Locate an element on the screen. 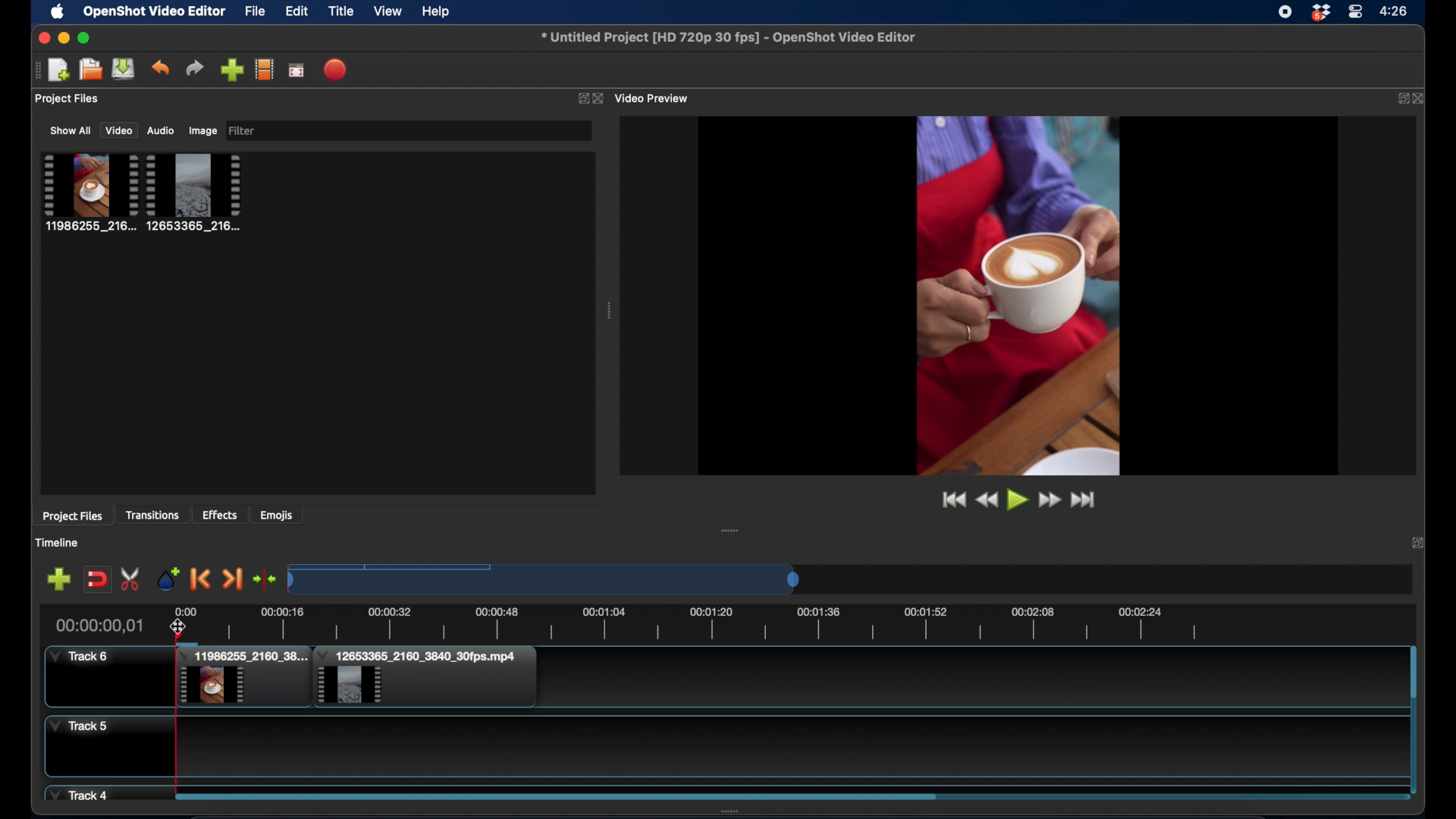 This screenshot has height=819, width=1456. clip is located at coordinates (241, 678).